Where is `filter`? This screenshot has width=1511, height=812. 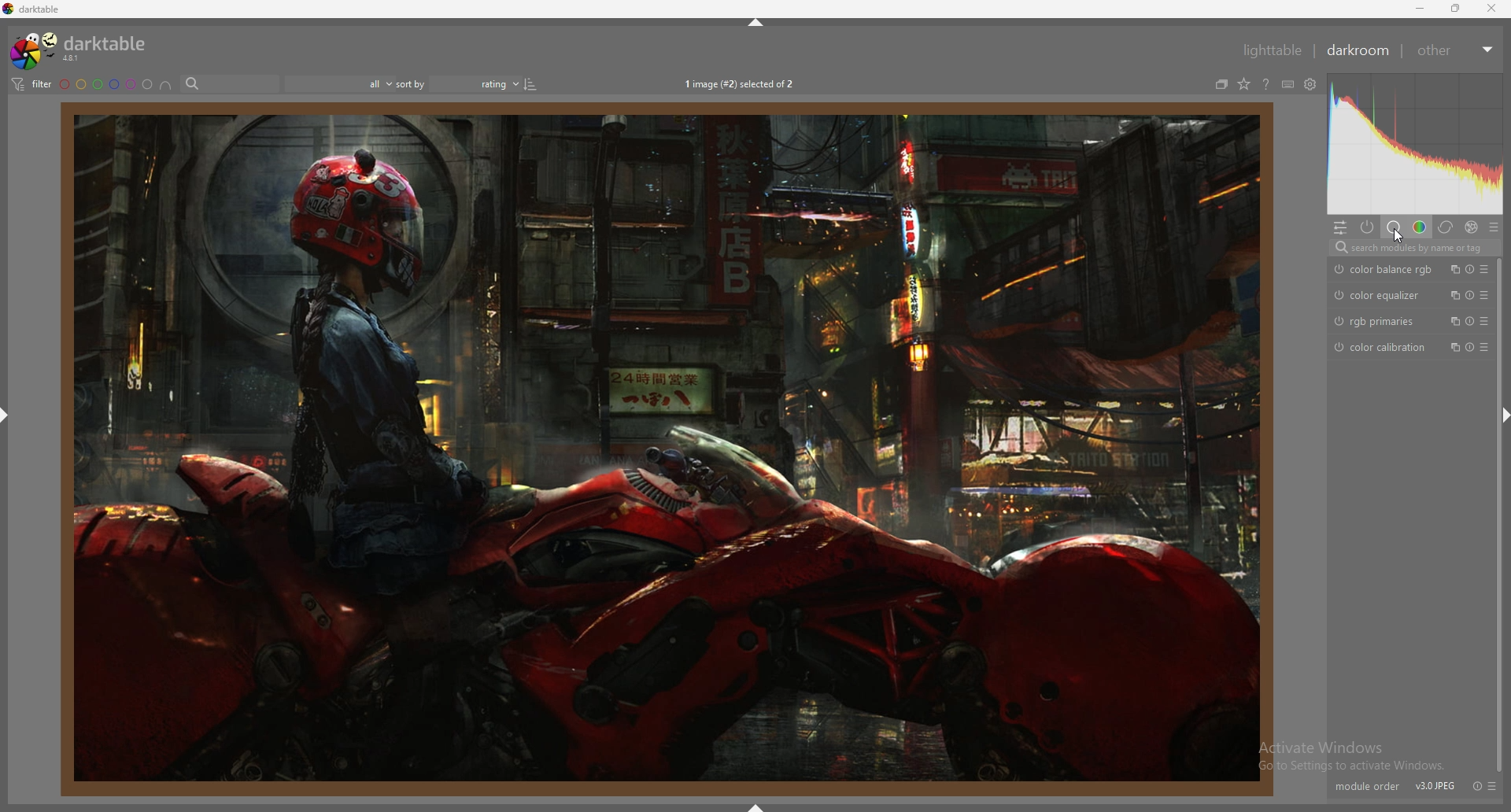
filter is located at coordinates (31, 84).